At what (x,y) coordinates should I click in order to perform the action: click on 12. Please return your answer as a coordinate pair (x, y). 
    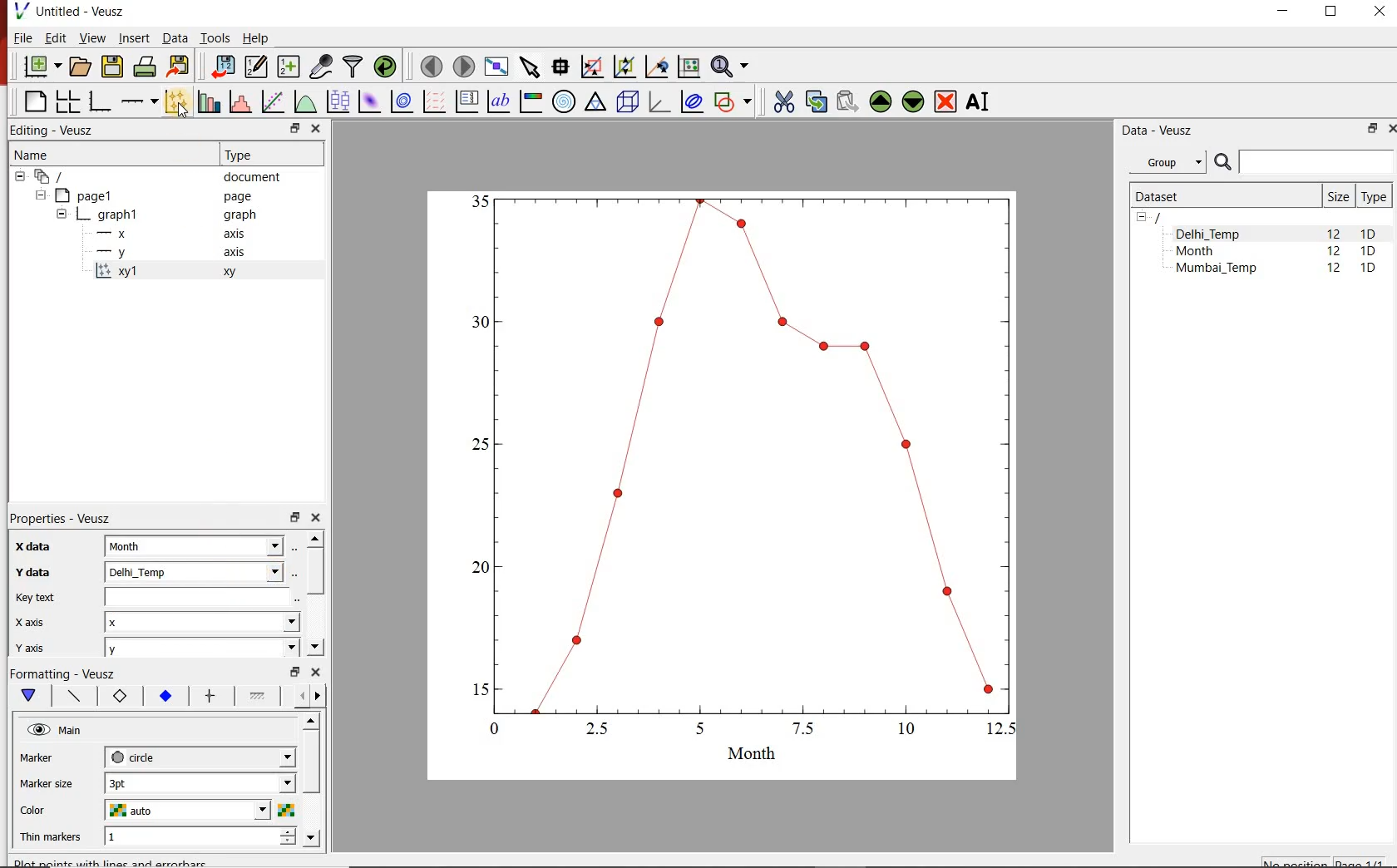
    Looking at the image, I should click on (1333, 233).